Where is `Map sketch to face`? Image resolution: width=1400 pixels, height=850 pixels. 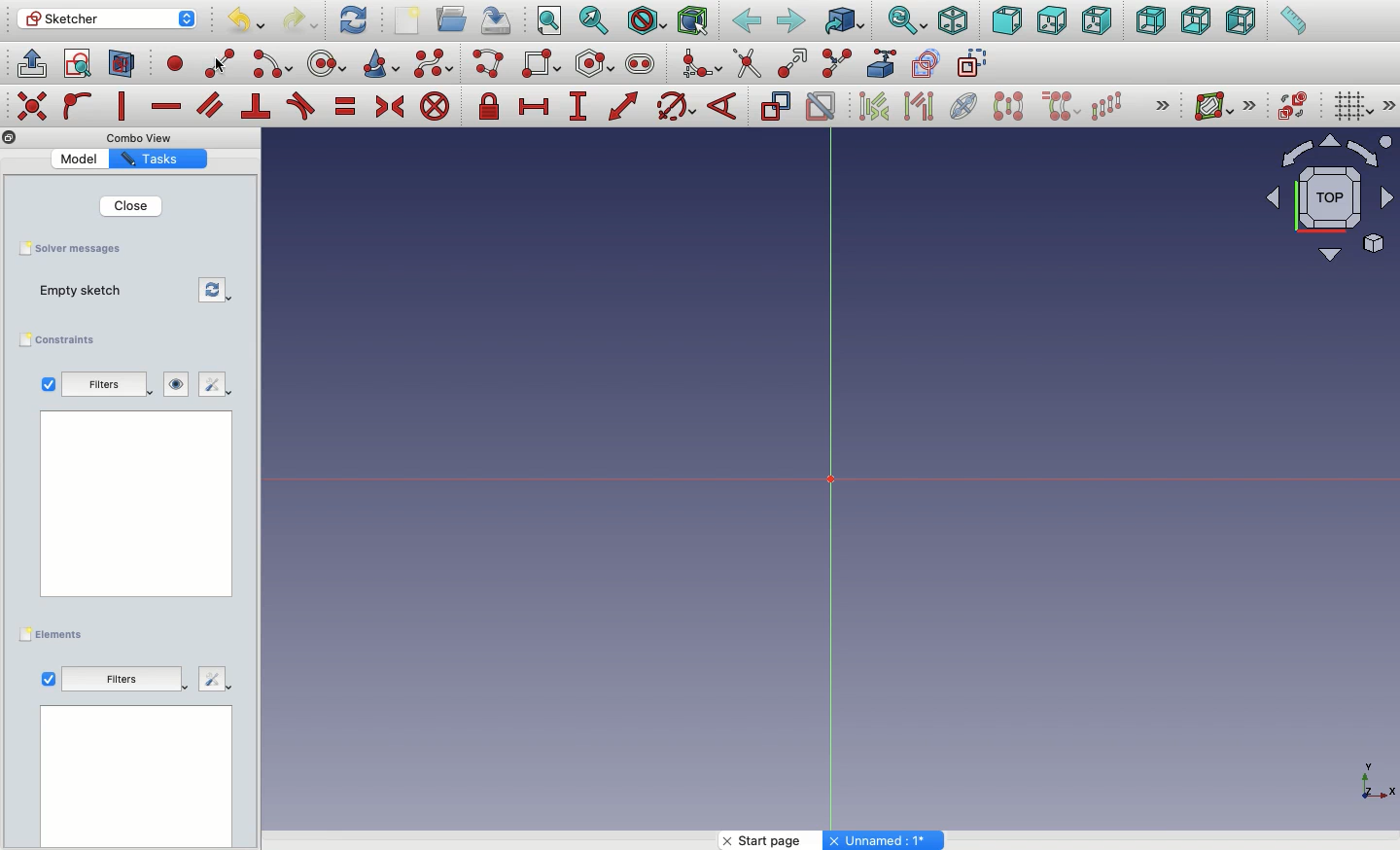 Map sketch to face is located at coordinates (122, 64).